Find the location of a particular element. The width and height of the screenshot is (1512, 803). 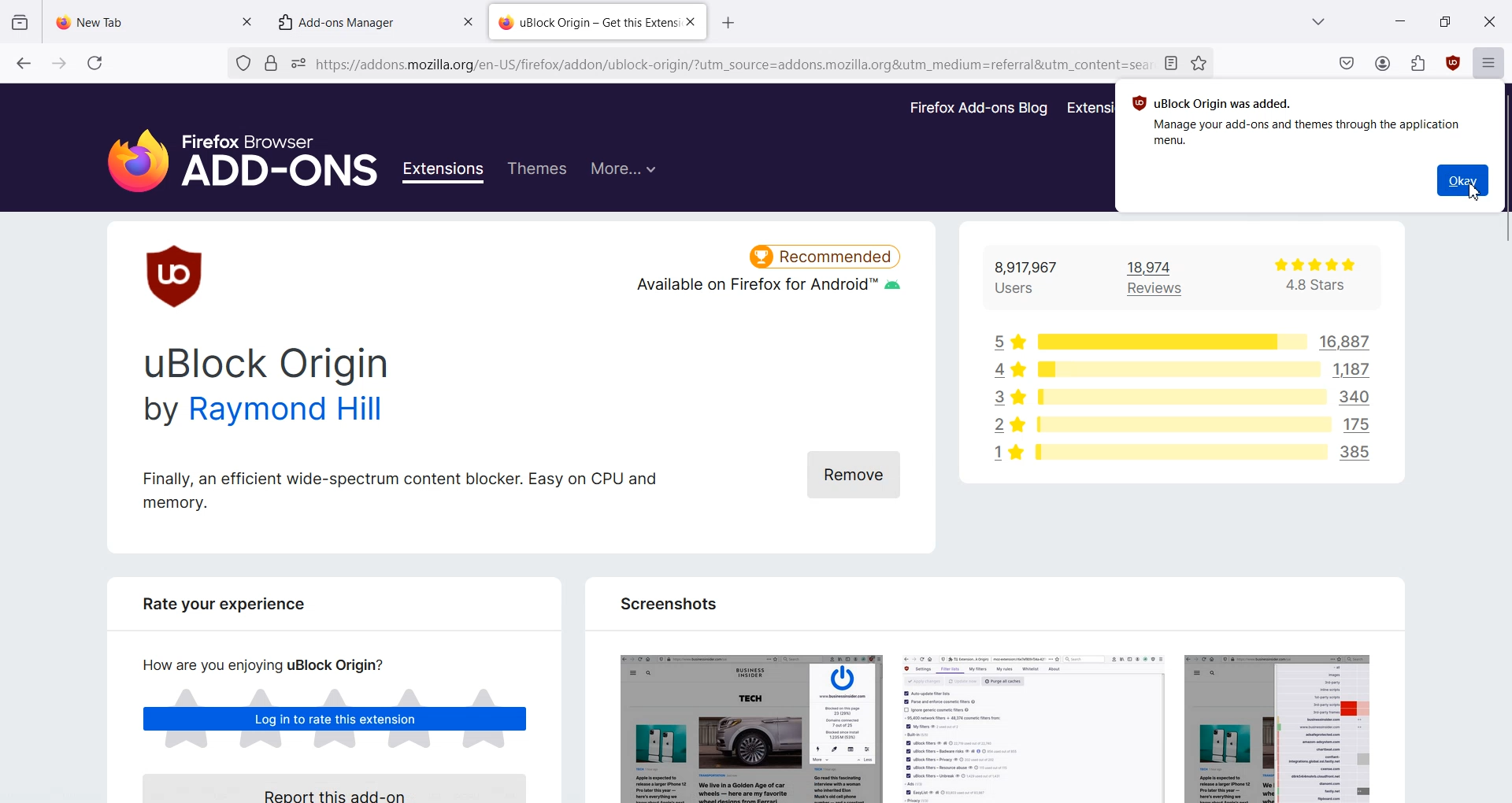

rating bar is located at coordinates (1177, 398).